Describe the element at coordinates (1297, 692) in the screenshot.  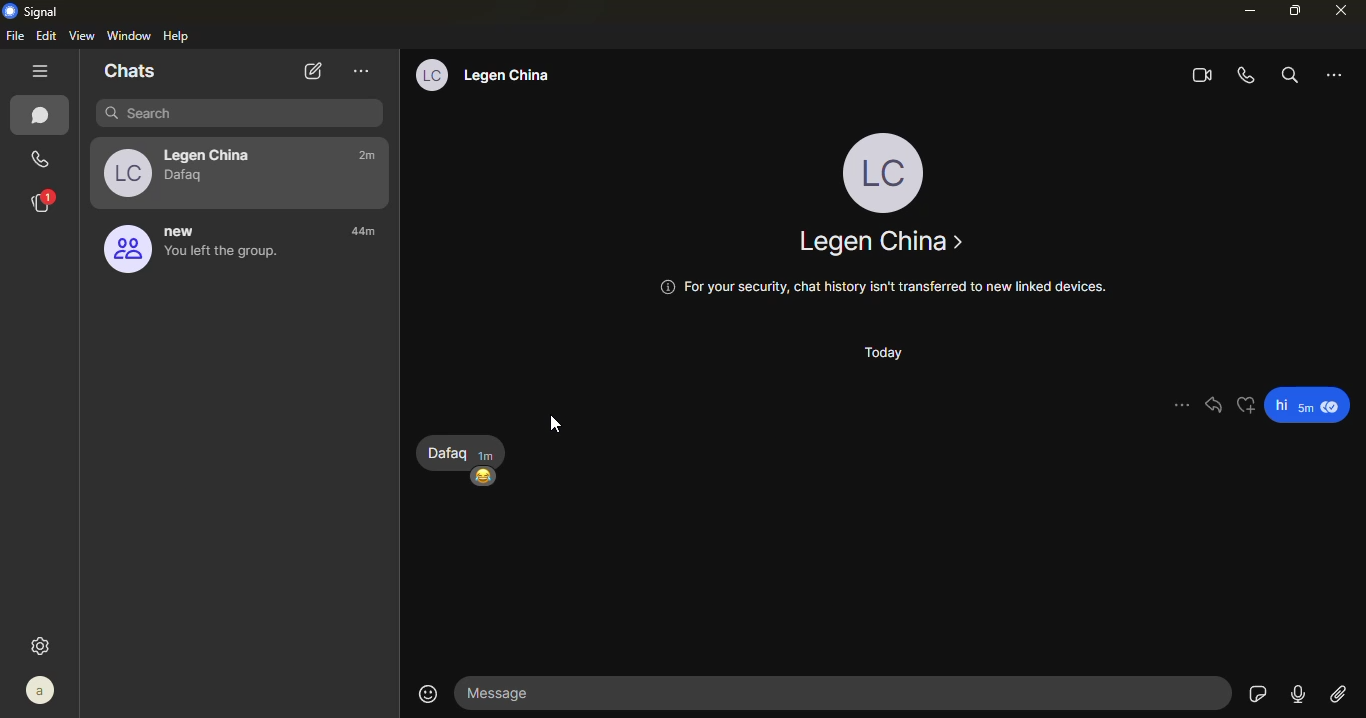
I see `record` at that location.